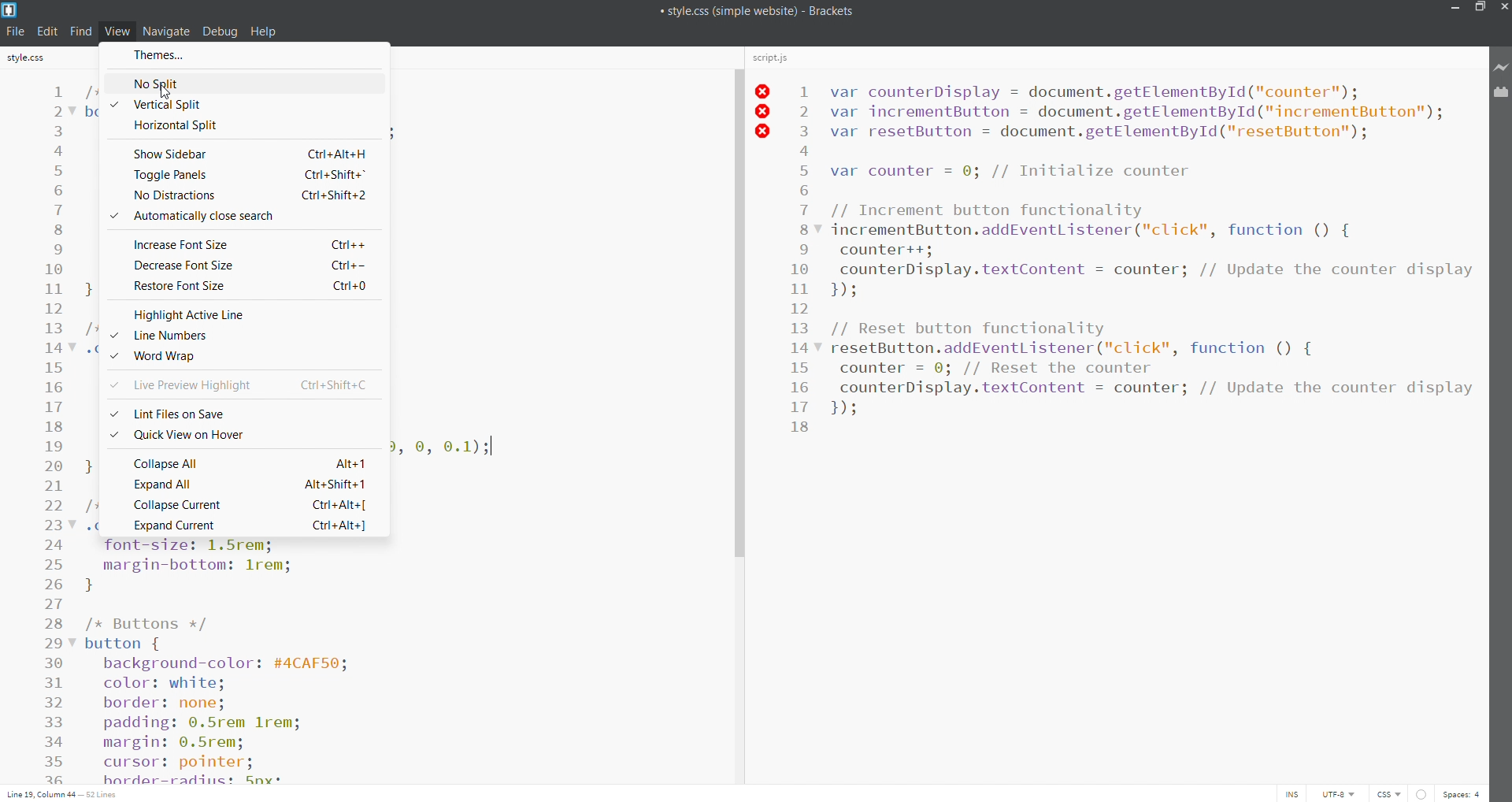 Image resolution: width=1512 pixels, height=802 pixels. I want to click on help, so click(265, 32).